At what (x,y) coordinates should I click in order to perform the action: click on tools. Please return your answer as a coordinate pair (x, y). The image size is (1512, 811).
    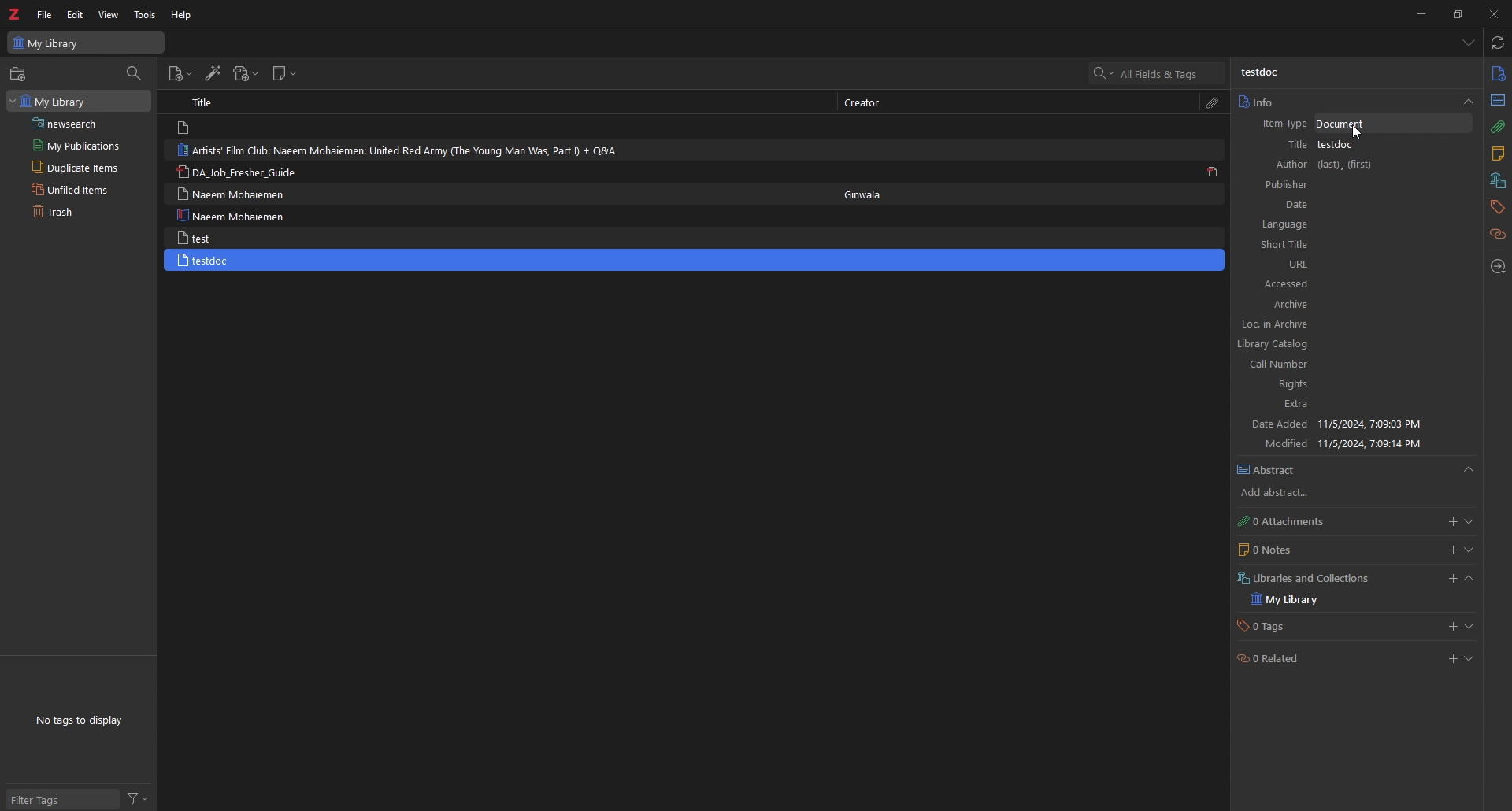
    Looking at the image, I should click on (144, 15).